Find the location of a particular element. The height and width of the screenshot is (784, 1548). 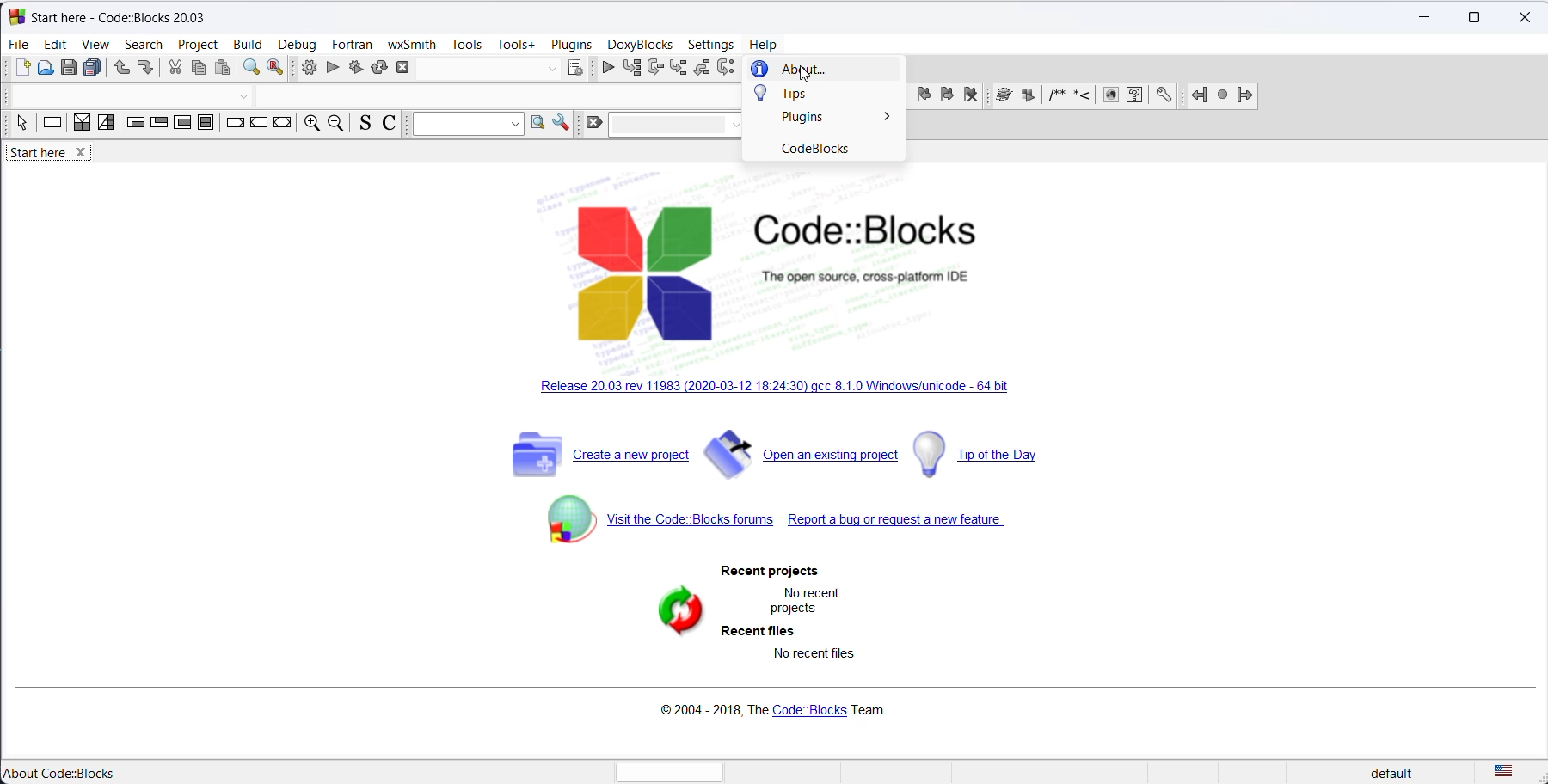

last jump is located at coordinates (1222, 97).